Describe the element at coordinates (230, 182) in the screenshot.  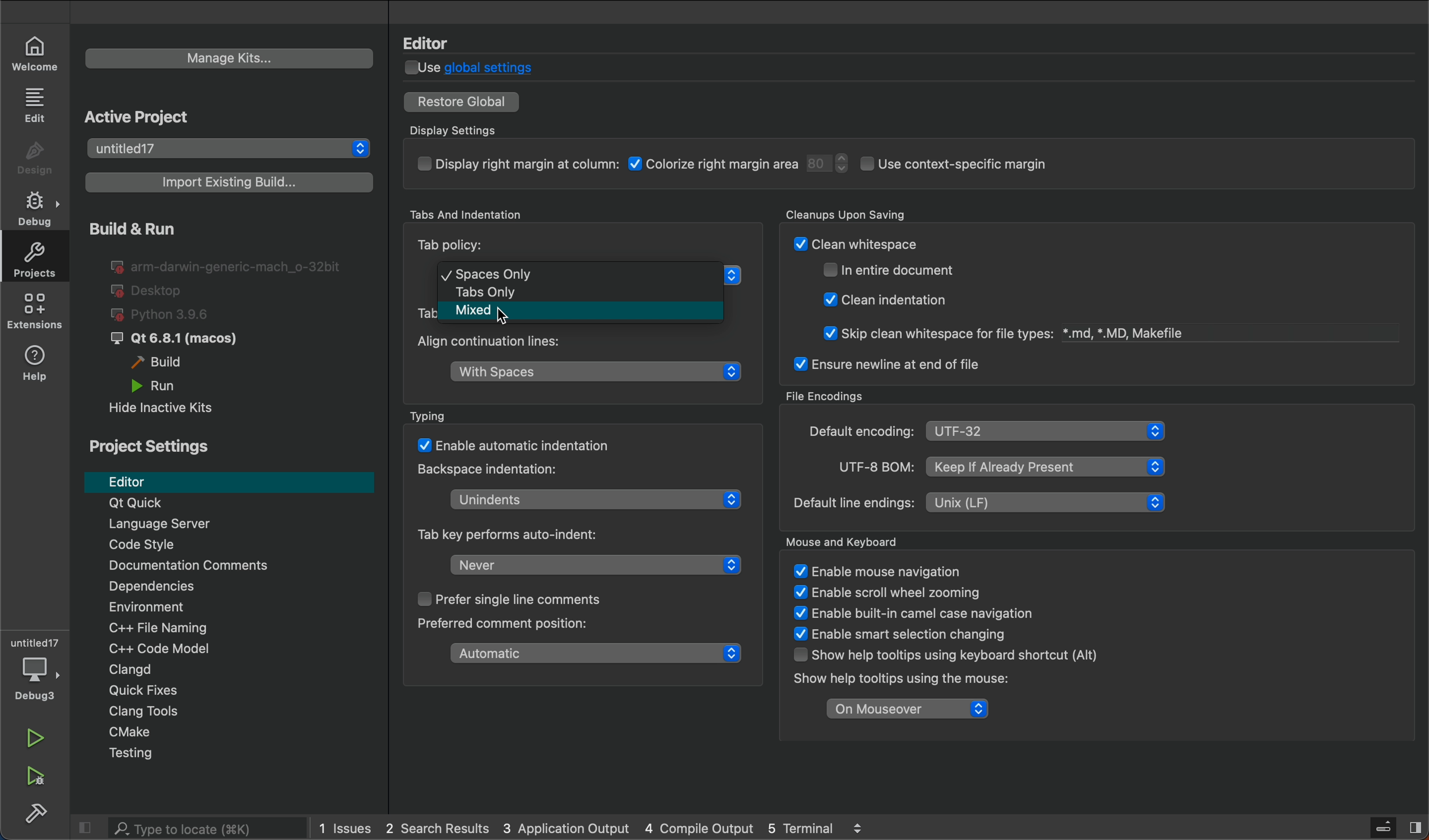
I see `import build` at that location.